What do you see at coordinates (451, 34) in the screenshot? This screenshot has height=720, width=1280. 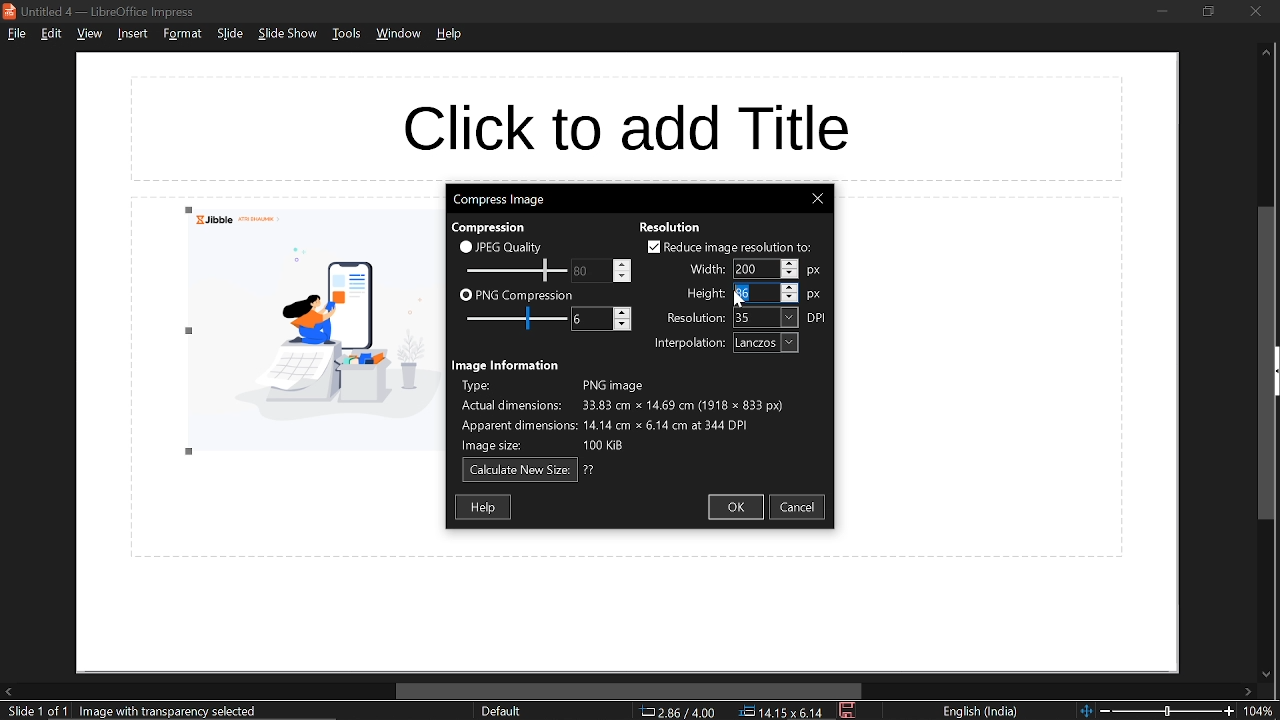 I see `help` at bounding box center [451, 34].